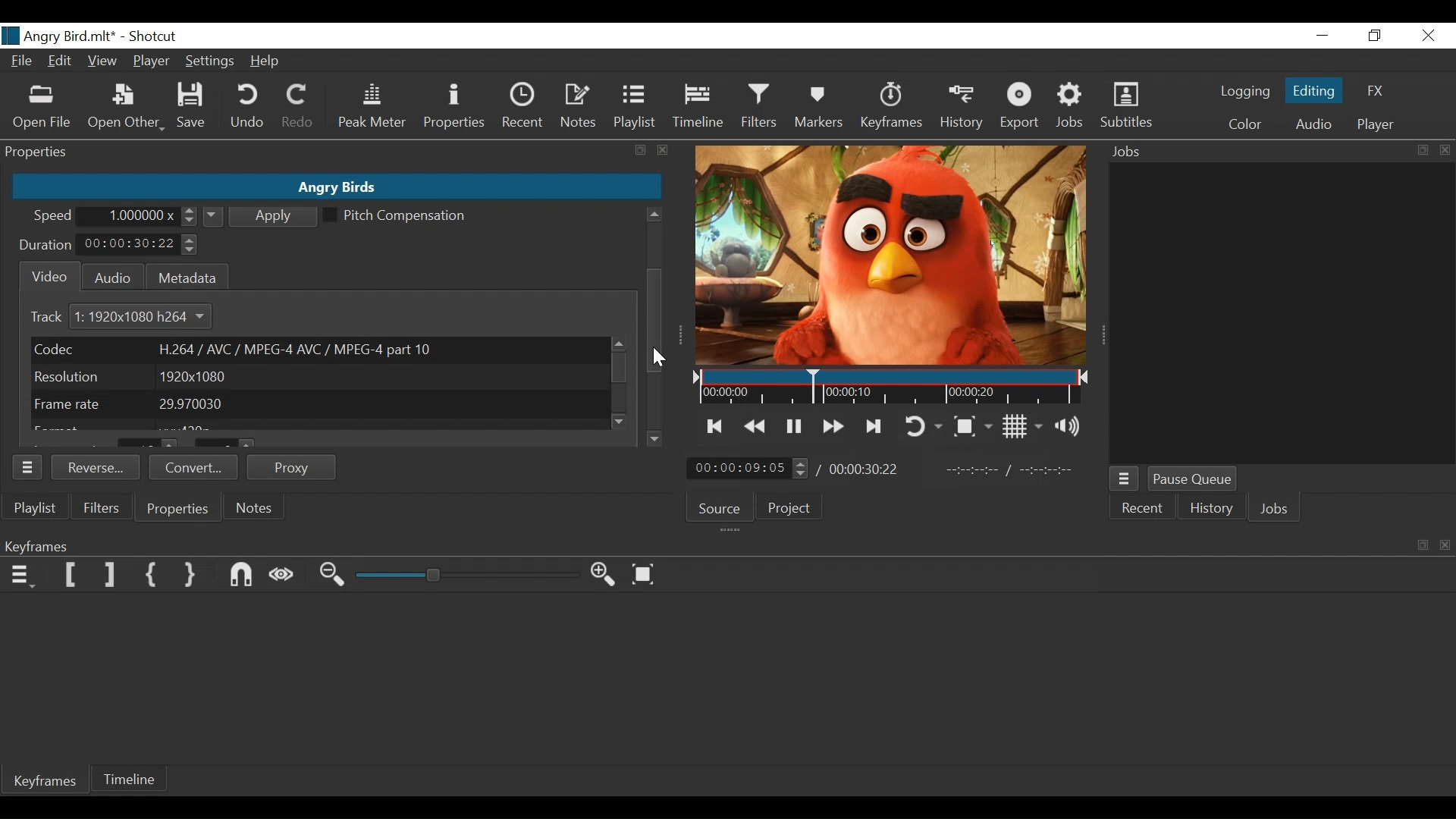  I want to click on In Point, so click(1011, 468).